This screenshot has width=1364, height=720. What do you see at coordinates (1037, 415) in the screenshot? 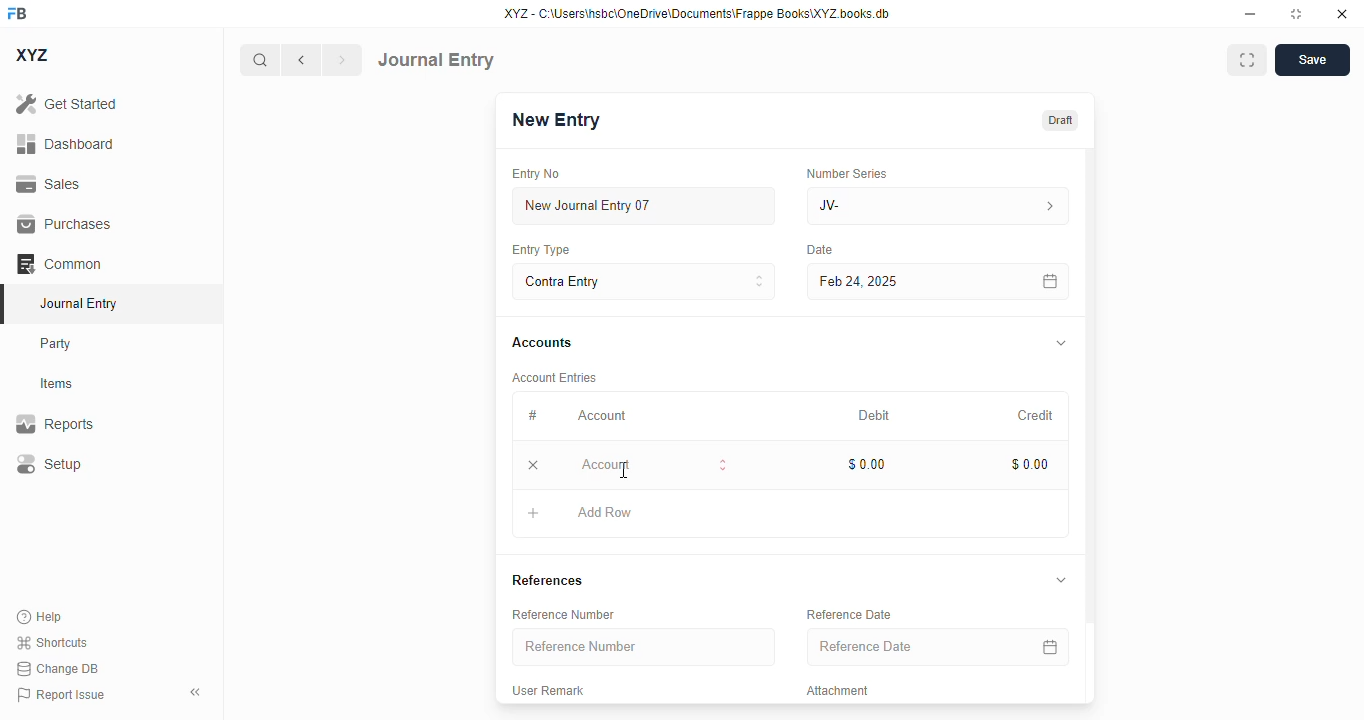
I see `credit` at bounding box center [1037, 415].